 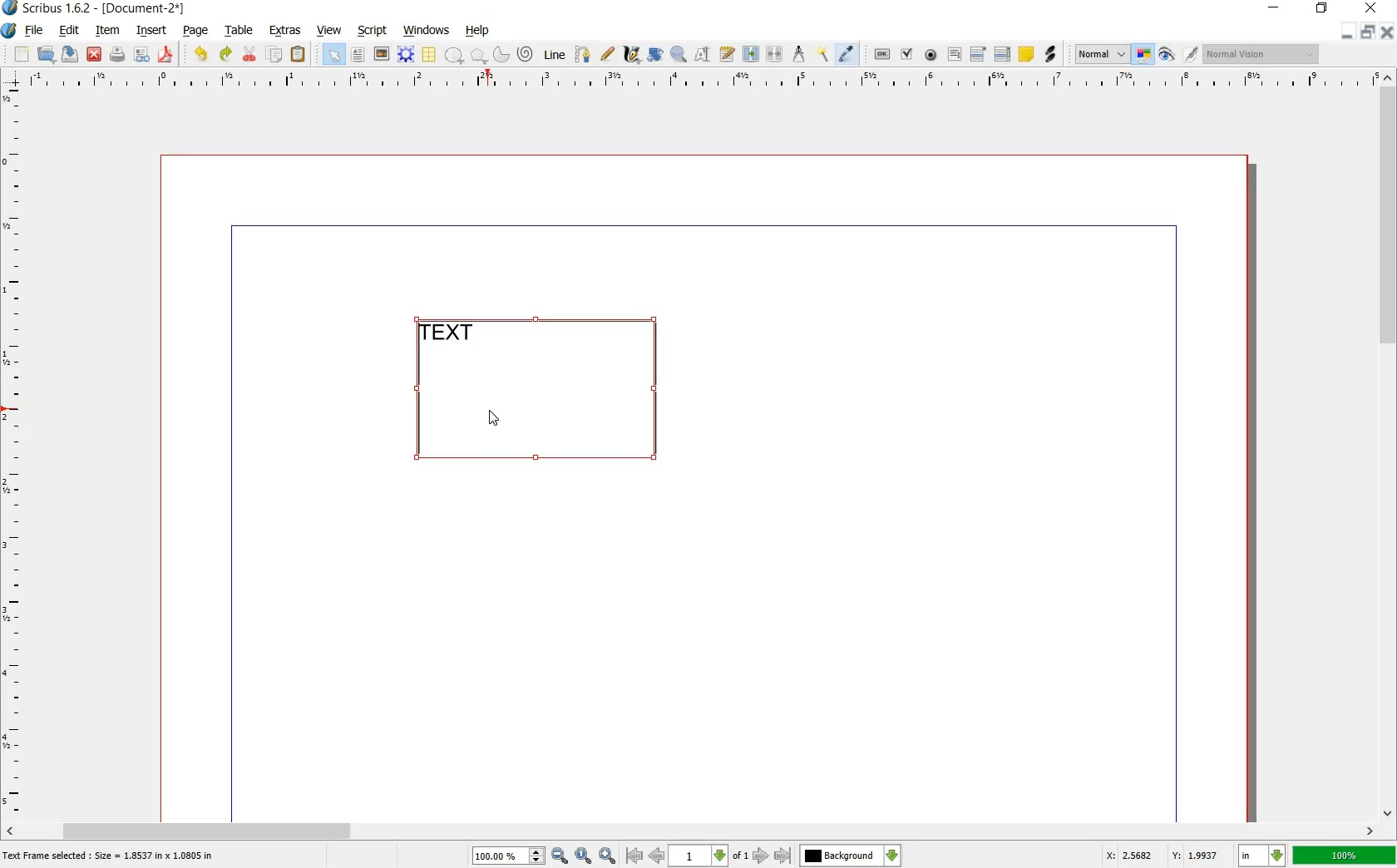 I want to click on new, so click(x=22, y=55).